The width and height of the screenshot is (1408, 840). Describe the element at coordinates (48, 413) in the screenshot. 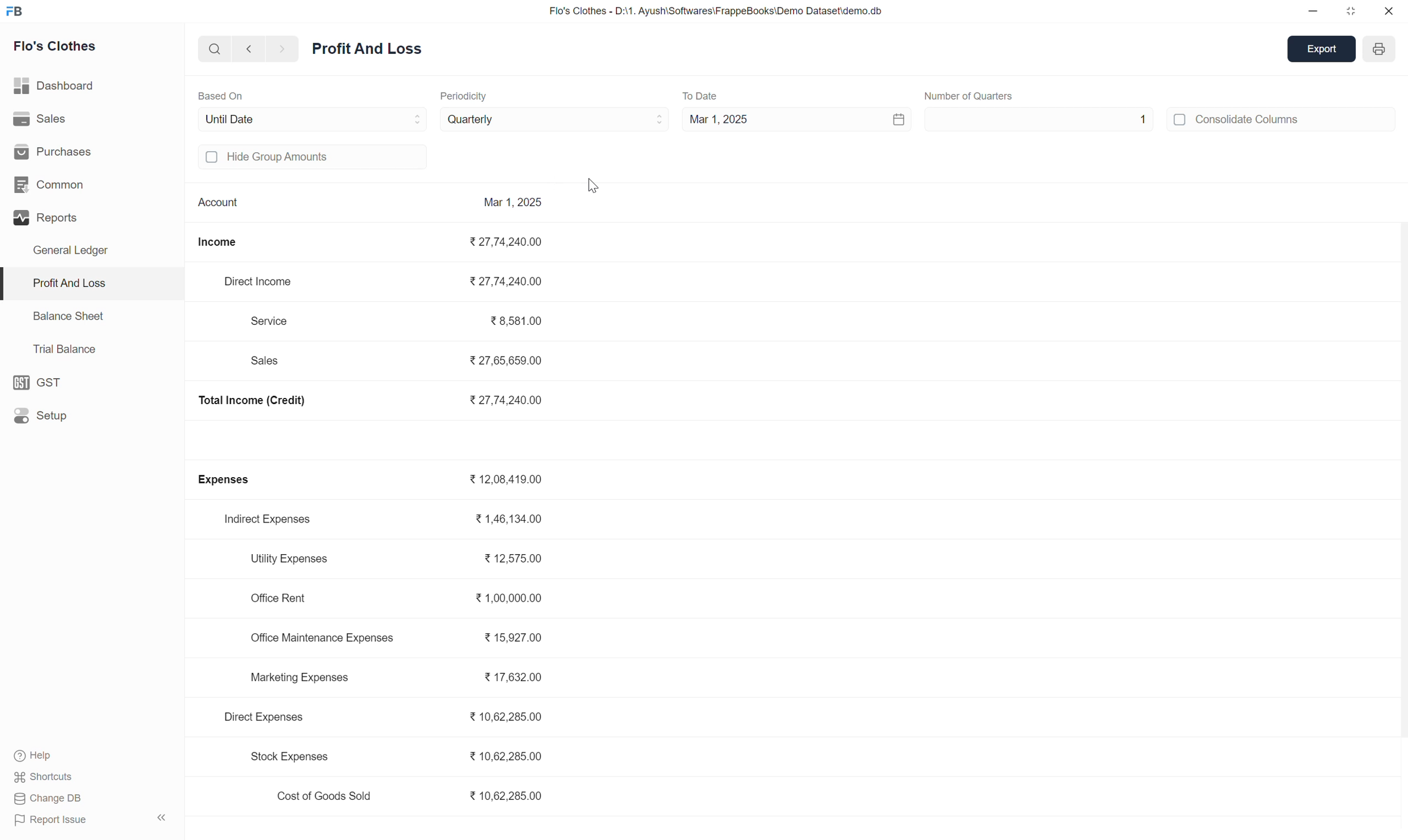

I see `Setup` at that location.